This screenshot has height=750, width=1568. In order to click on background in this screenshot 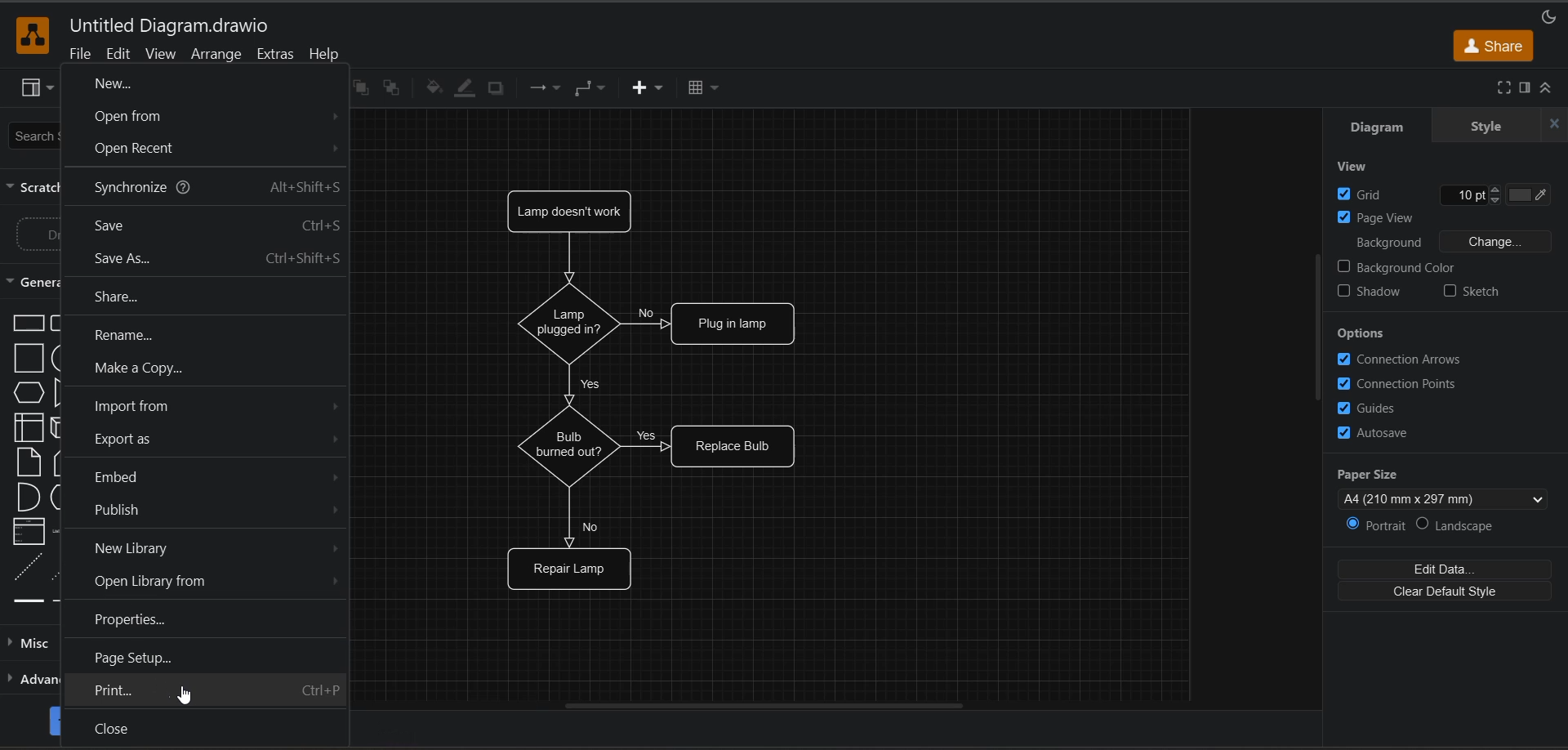, I will do `click(1450, 239)`.